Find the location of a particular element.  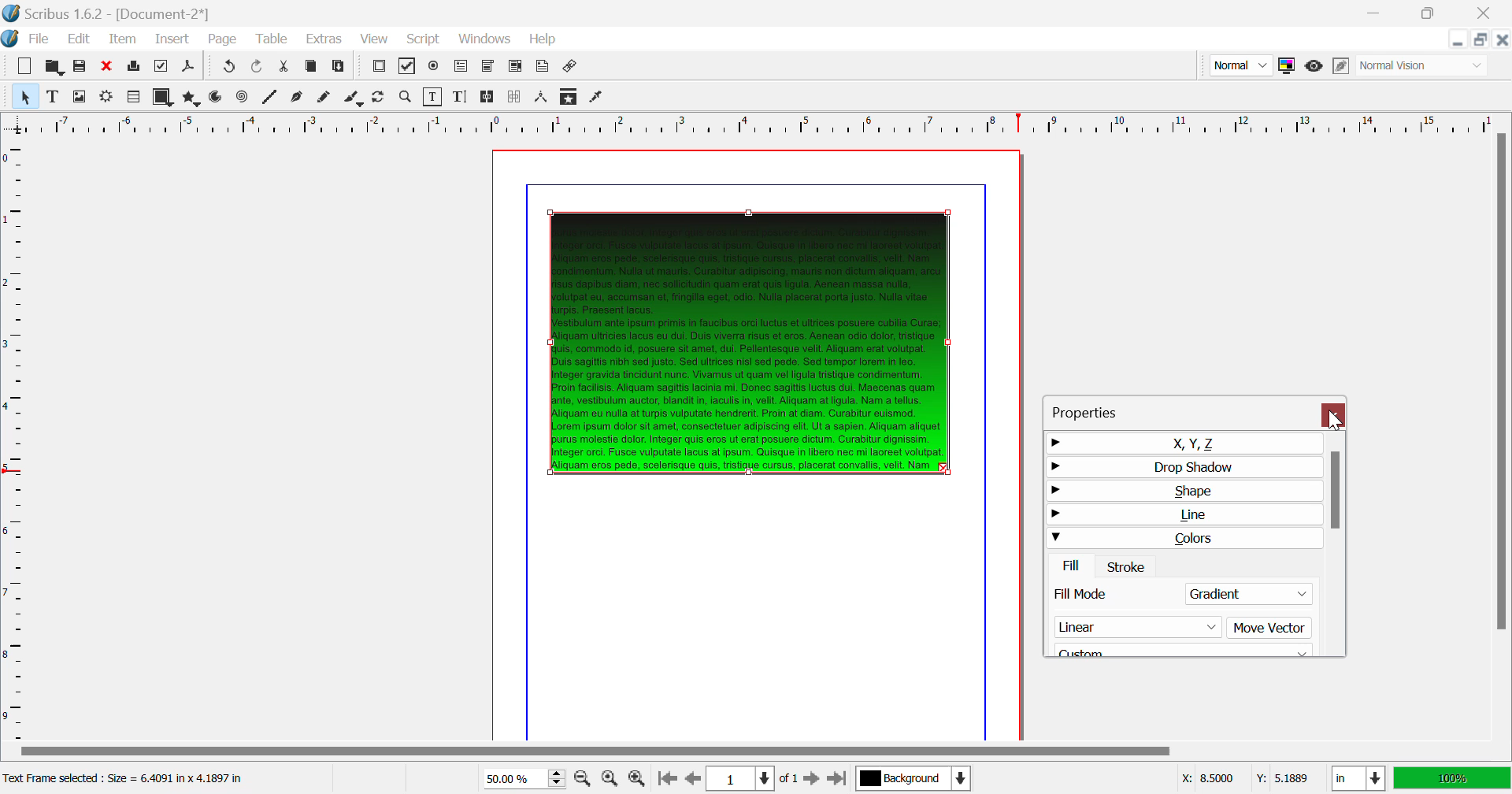

Horizontal Page Margins is located at coordinates (15, 439).